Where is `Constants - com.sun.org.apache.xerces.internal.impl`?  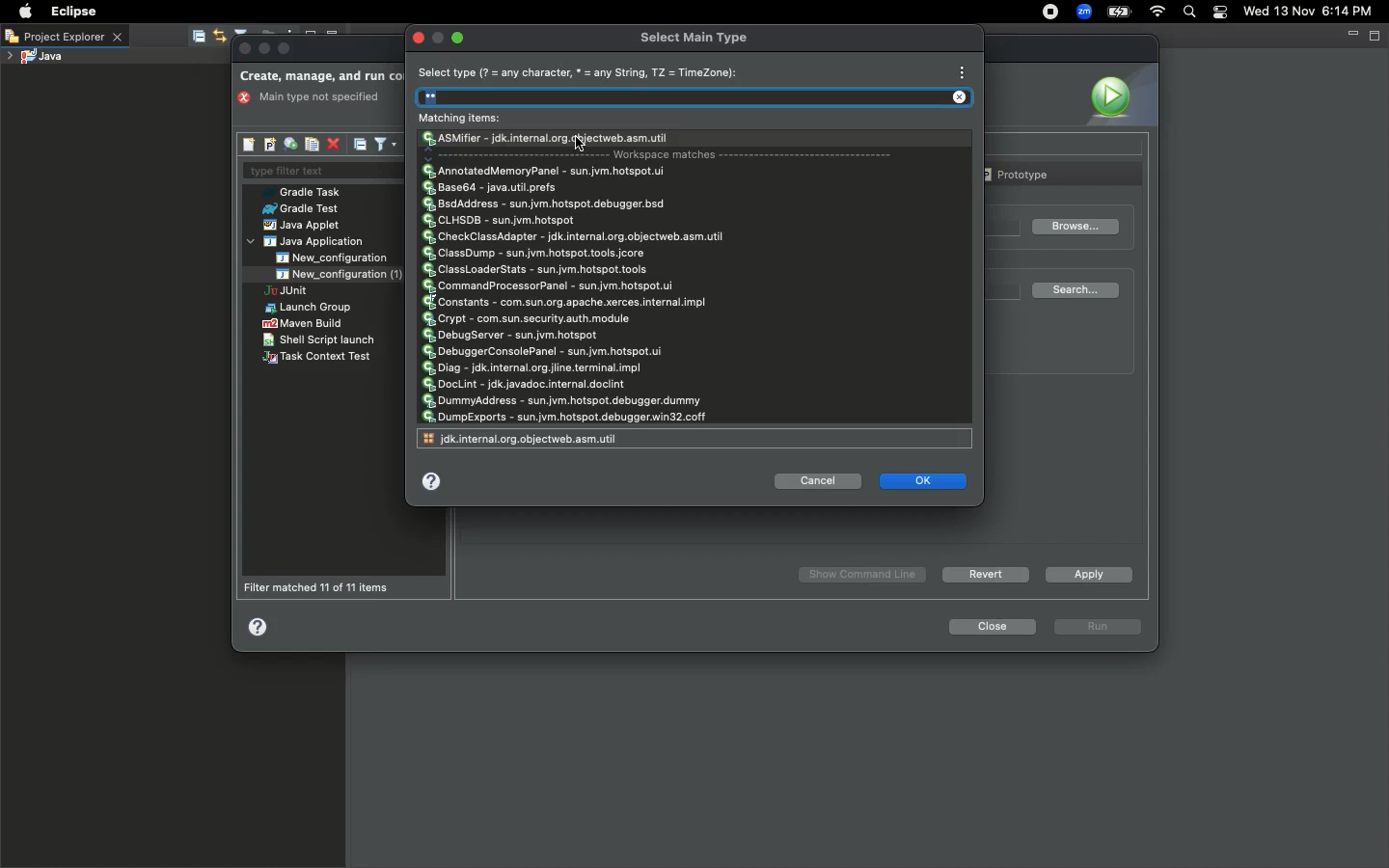 Constants - com.sun.org.apache.xerces.internal.impl is located at coordinates (563, 303).